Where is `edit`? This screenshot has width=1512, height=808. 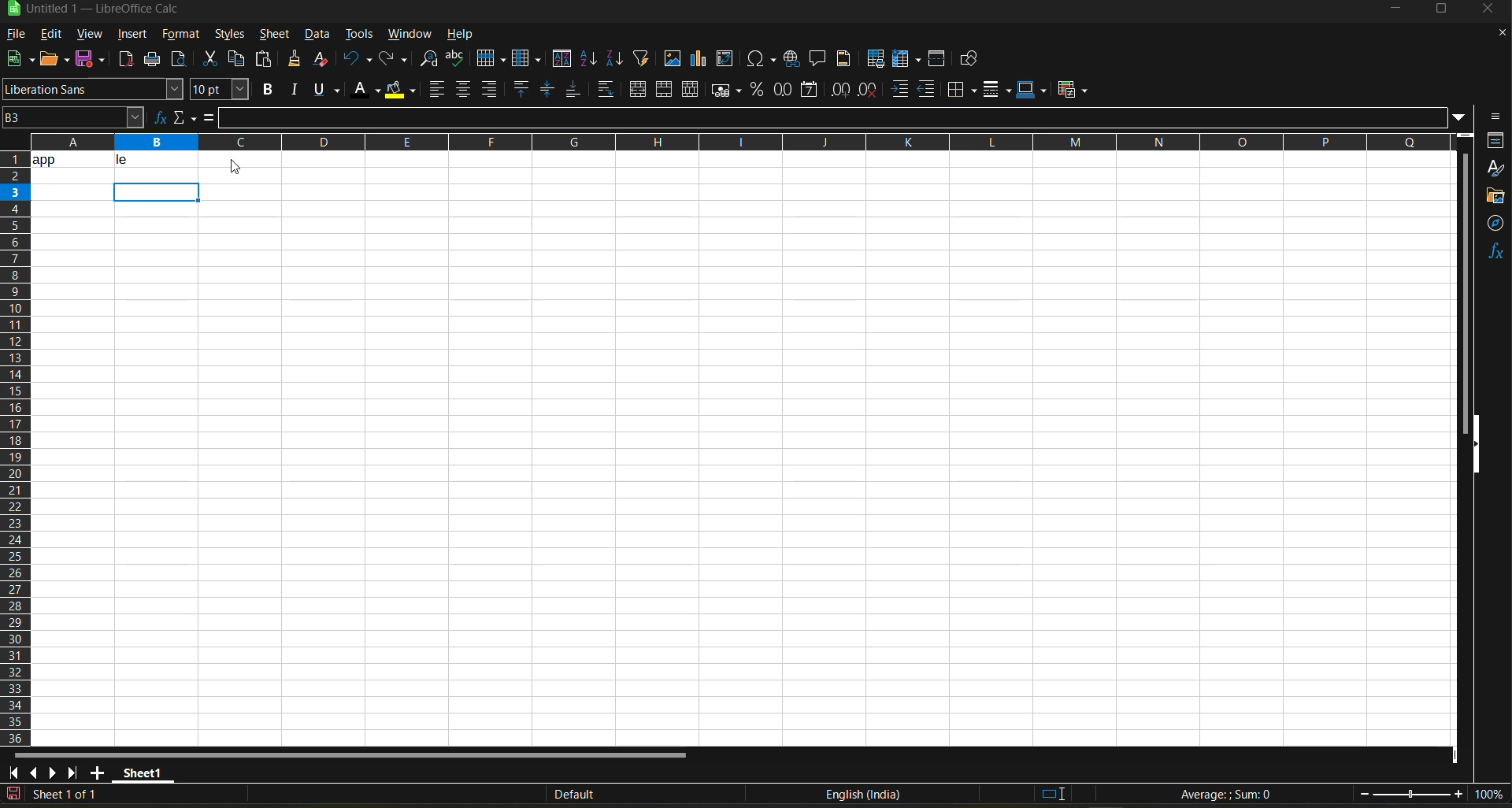 edit is located at coordinates (51, 32).